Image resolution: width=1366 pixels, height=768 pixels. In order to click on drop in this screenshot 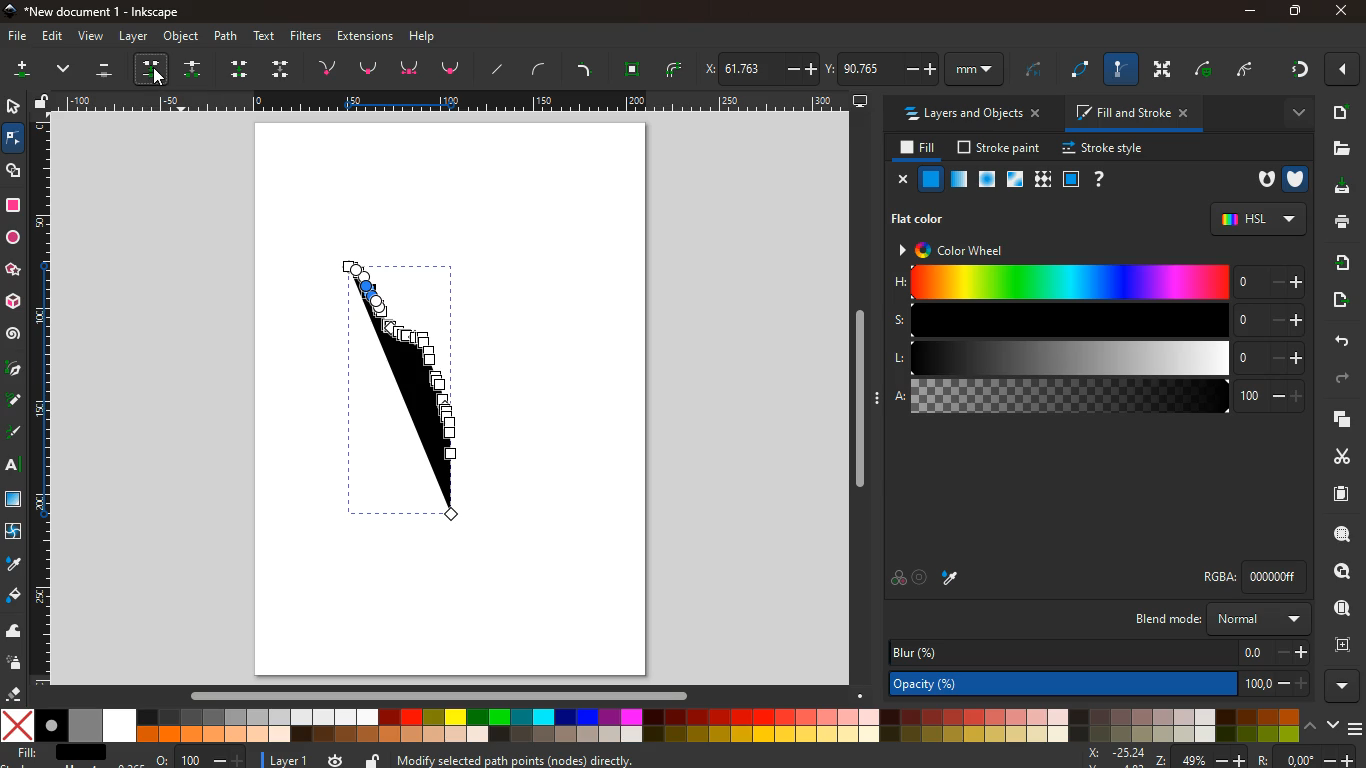, I will do `click(12, 564)`.